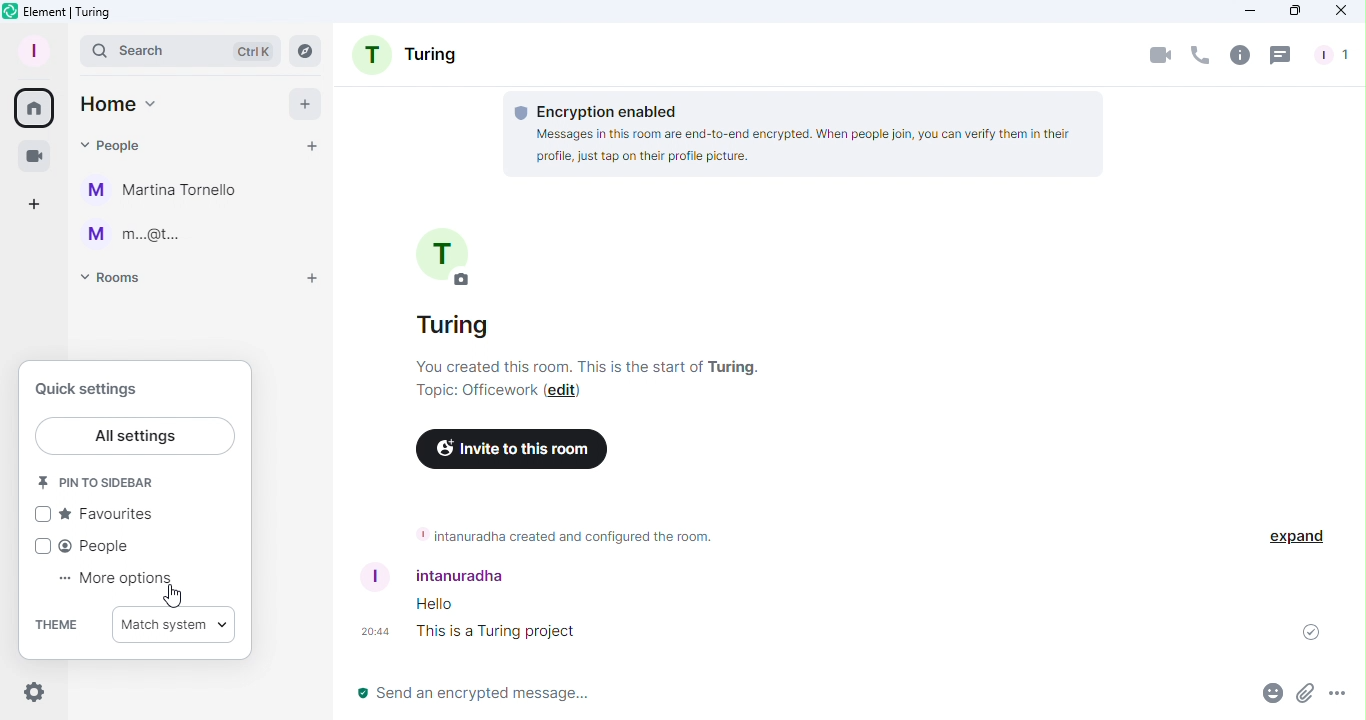  I want to click on People, so click(1335, 56).